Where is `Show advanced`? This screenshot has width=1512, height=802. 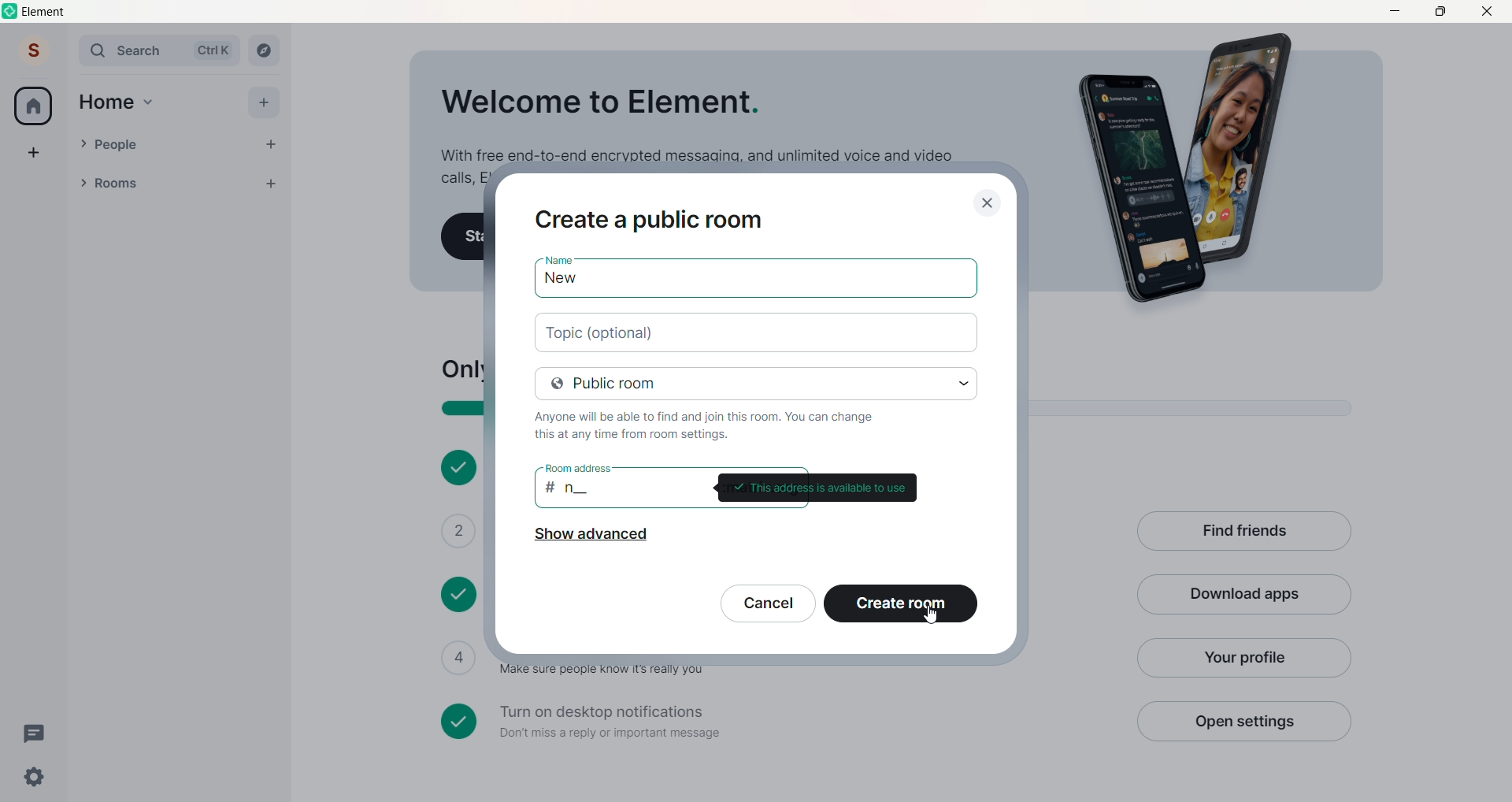
Show advanced is located at coordinates (590, 538).